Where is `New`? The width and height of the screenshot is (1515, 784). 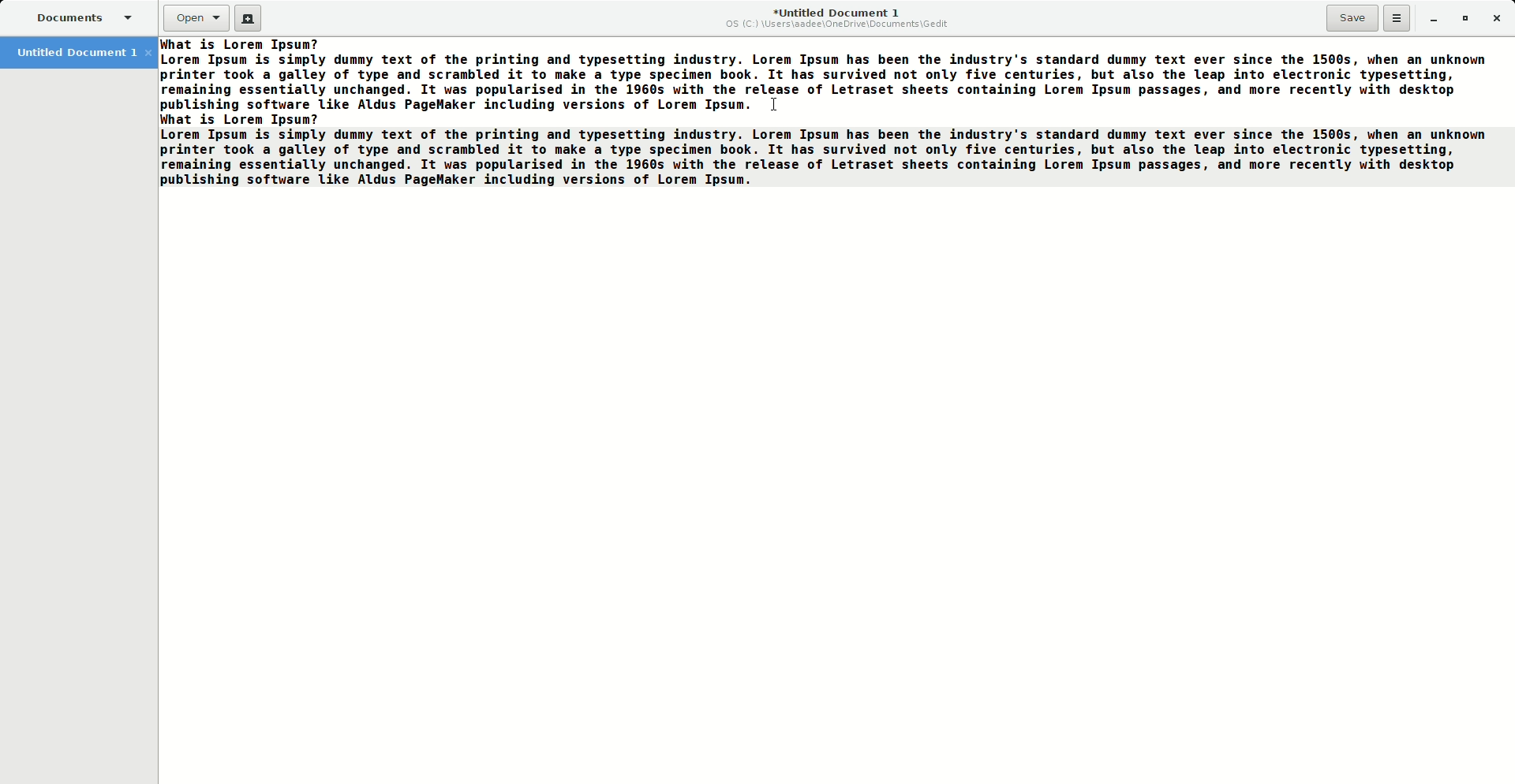
New is located at coordinates (250, 21).